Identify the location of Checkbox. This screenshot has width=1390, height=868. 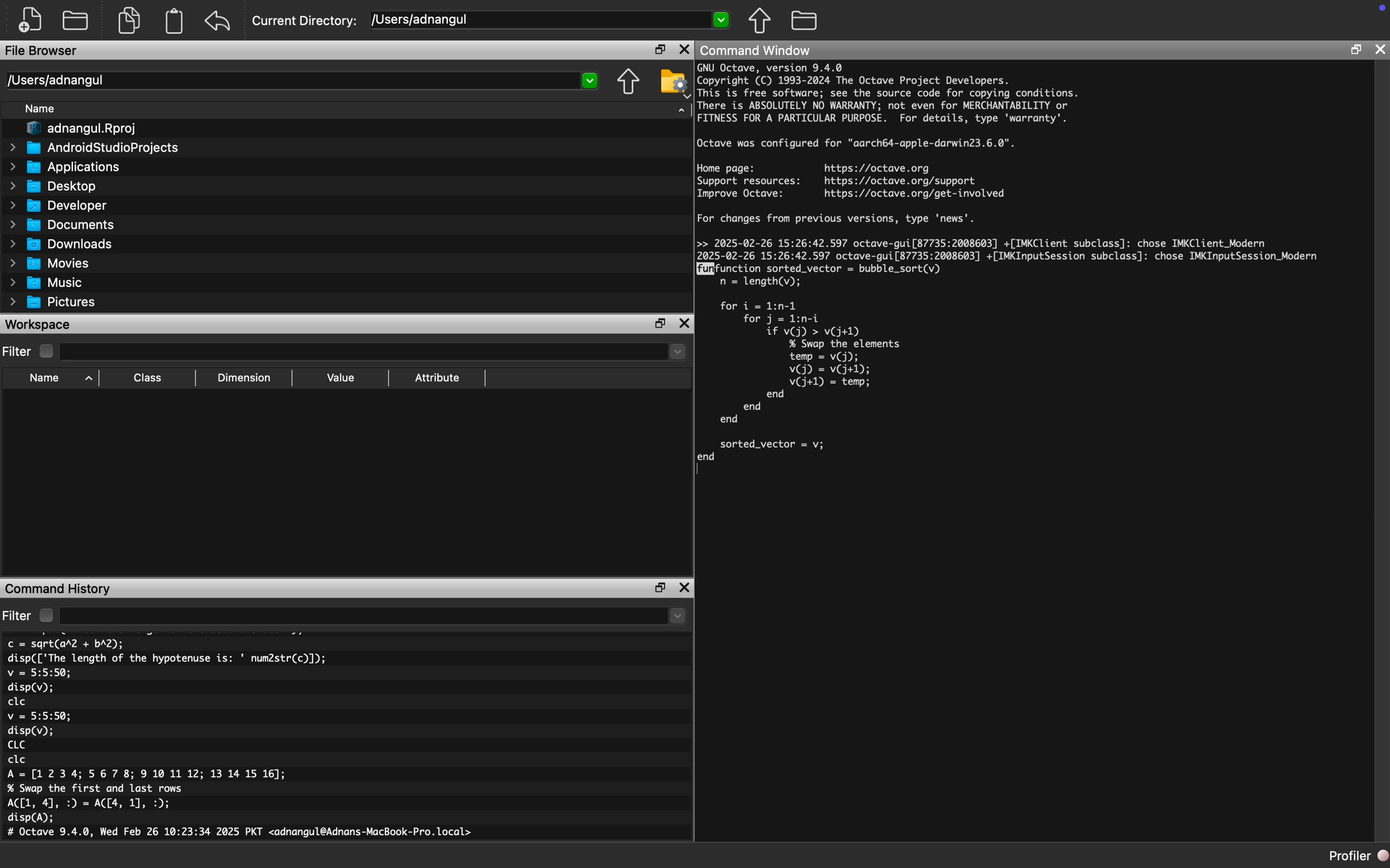
(46, 615).